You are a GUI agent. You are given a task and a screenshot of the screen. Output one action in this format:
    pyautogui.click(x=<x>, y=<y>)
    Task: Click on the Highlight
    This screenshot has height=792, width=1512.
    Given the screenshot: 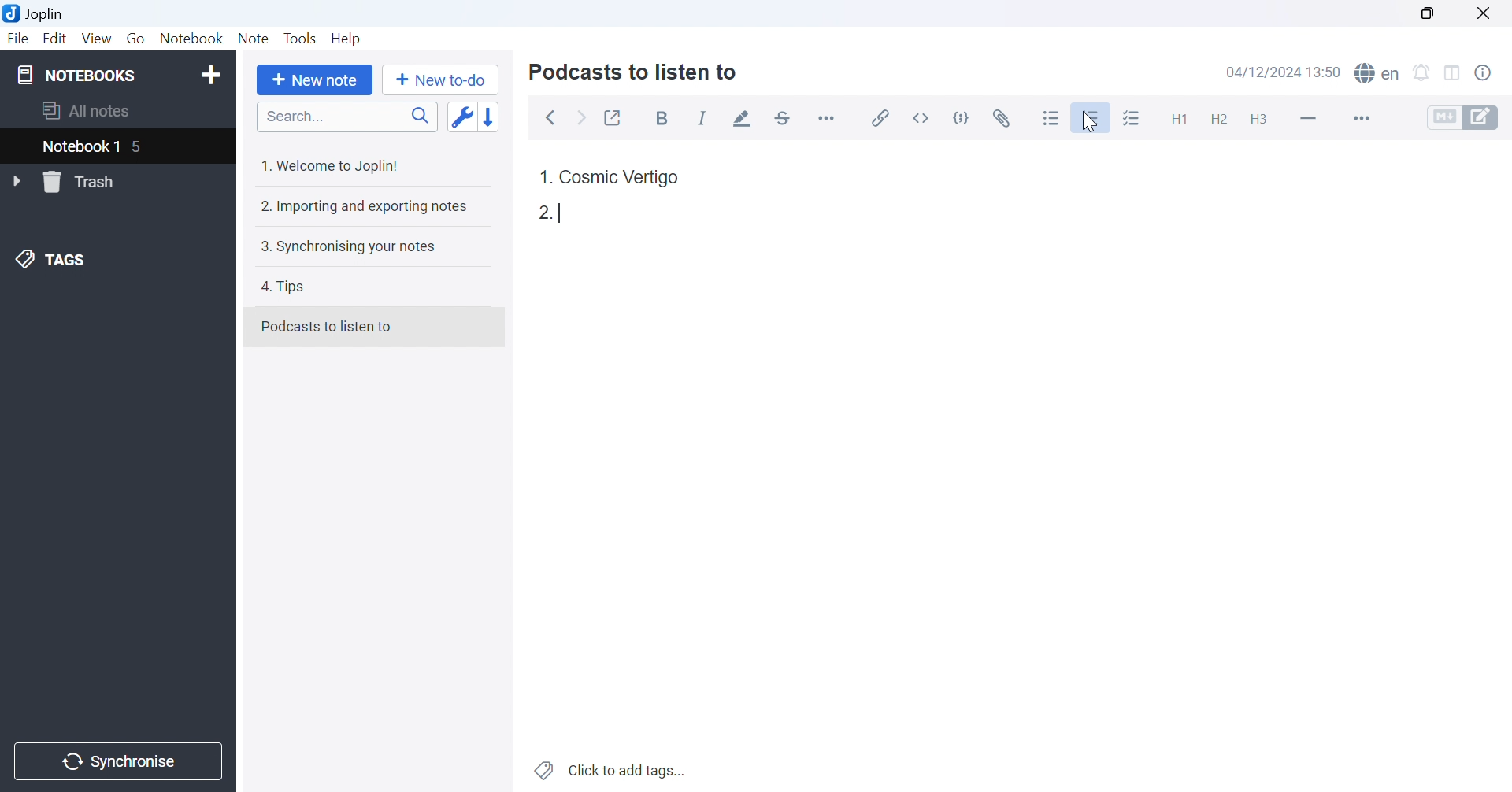 What is the action you would take?
    pyautogui.click(x=744, y=119)
    